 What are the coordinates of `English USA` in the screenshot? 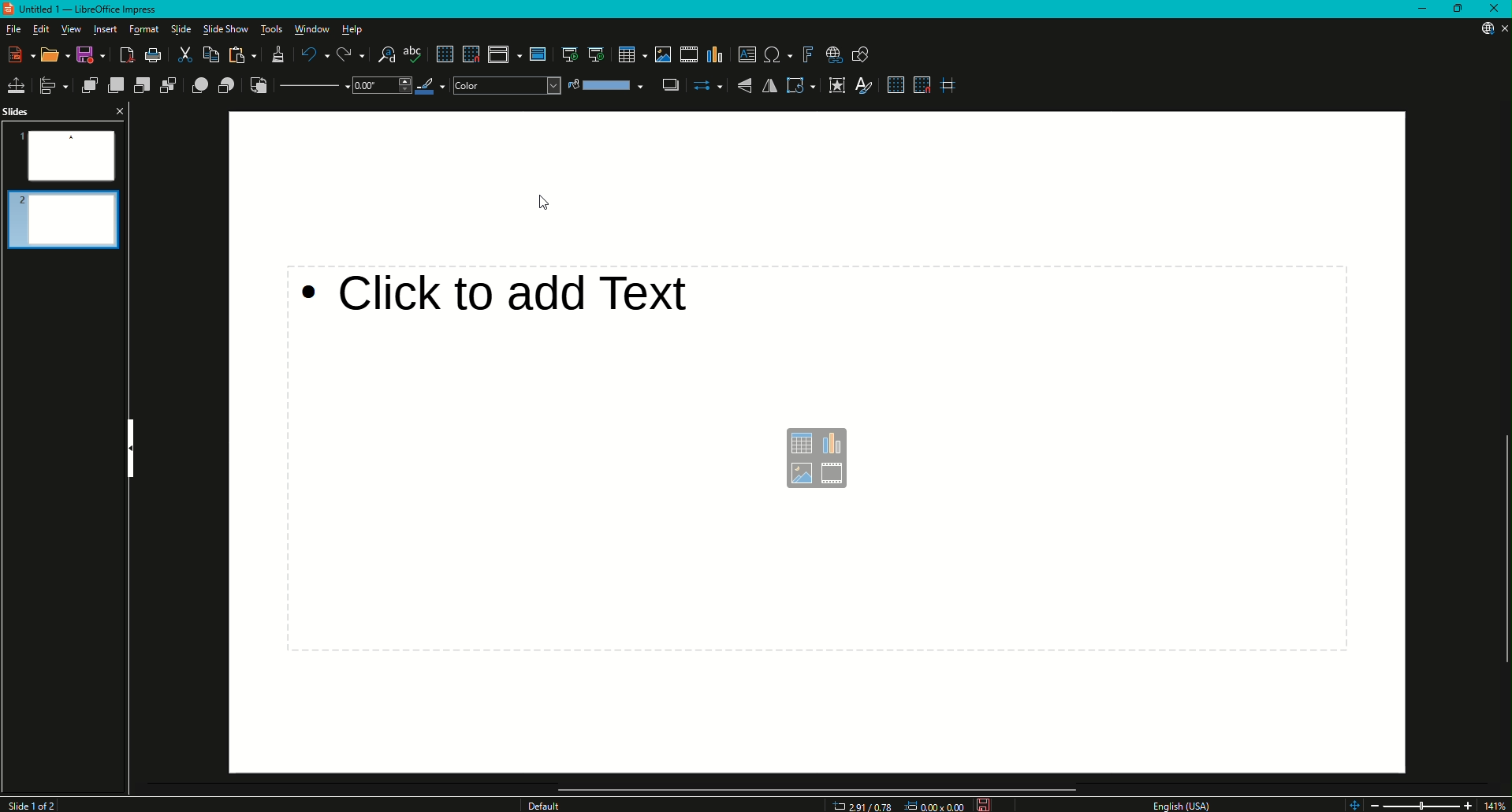 It's located at (1186, 804).